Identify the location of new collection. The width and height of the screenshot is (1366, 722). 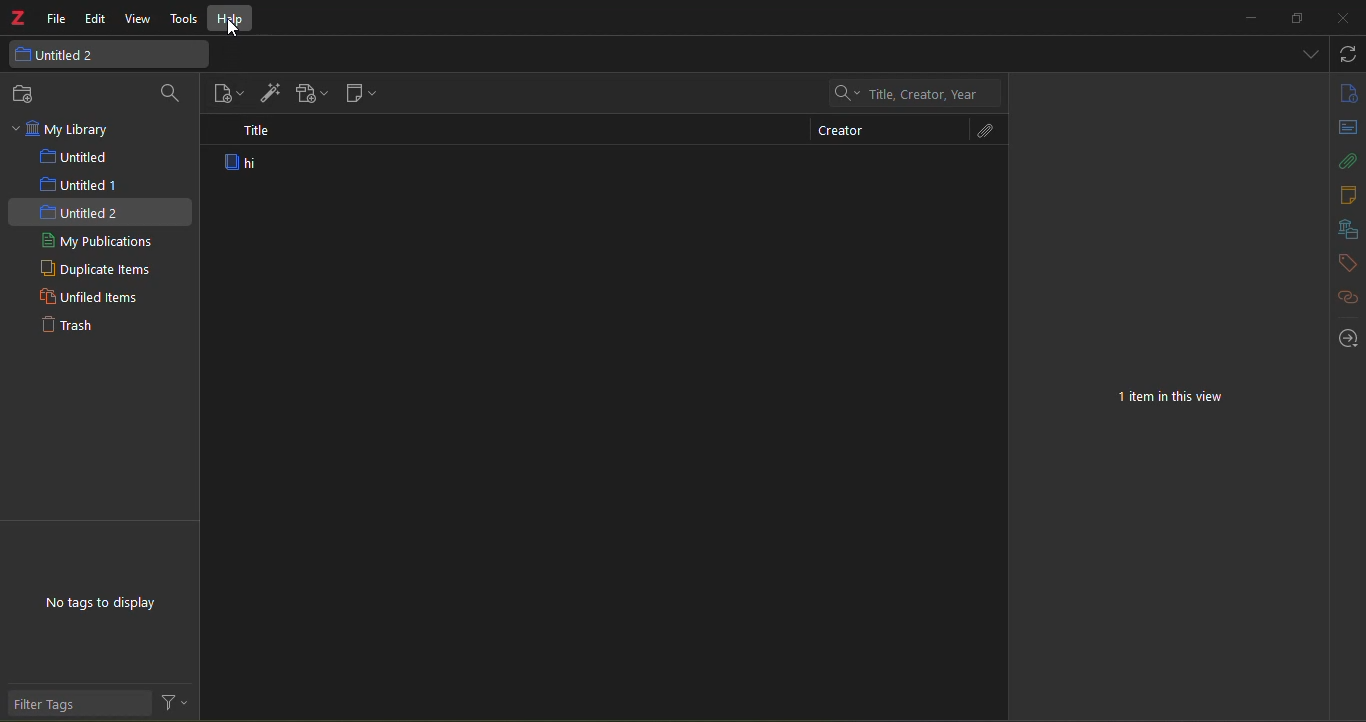
(28, 94).